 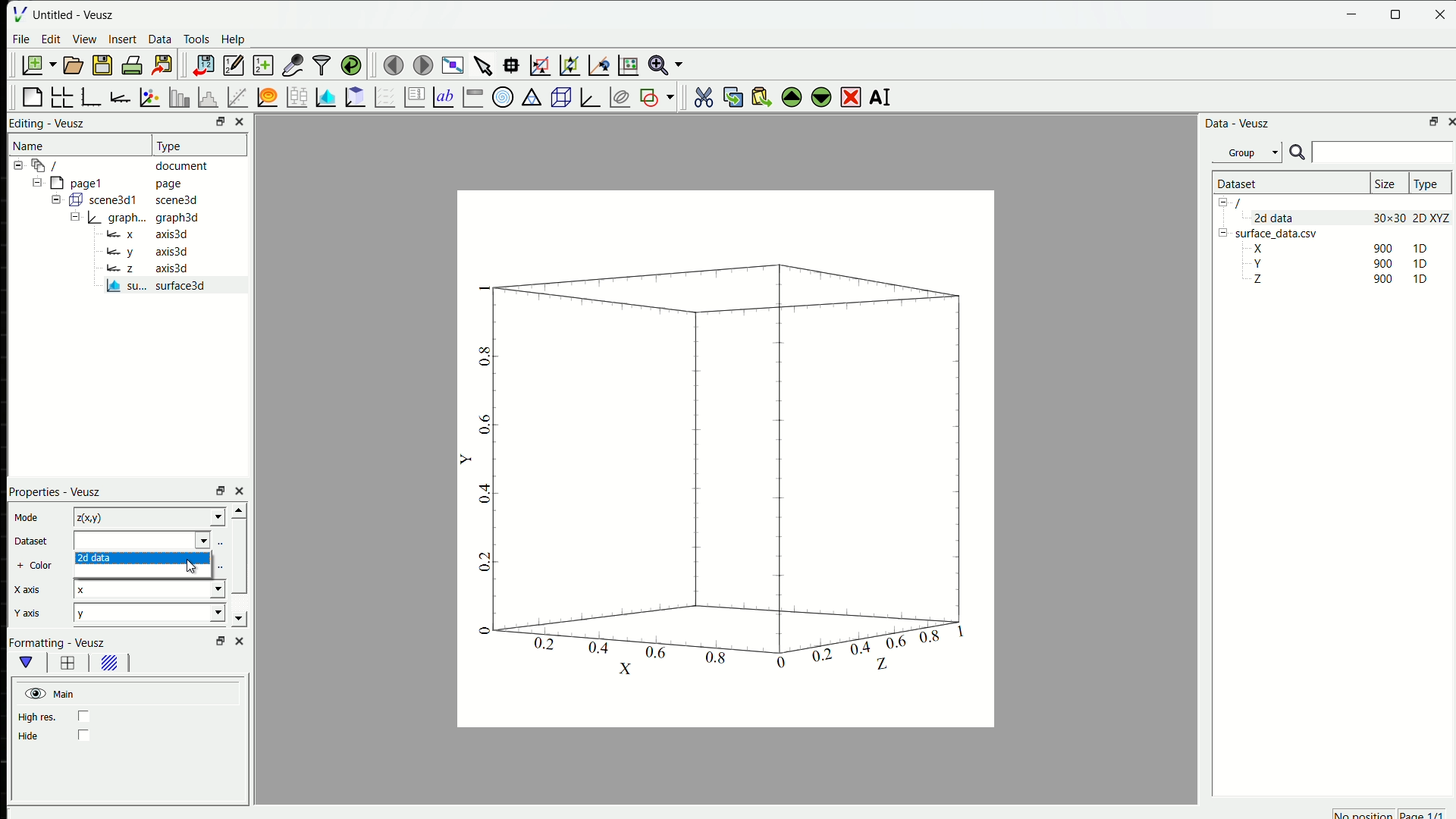 What do you see at coordinates (171, 252) in the screenshot?
I see `axis3d` at bounding box center [171, 252].